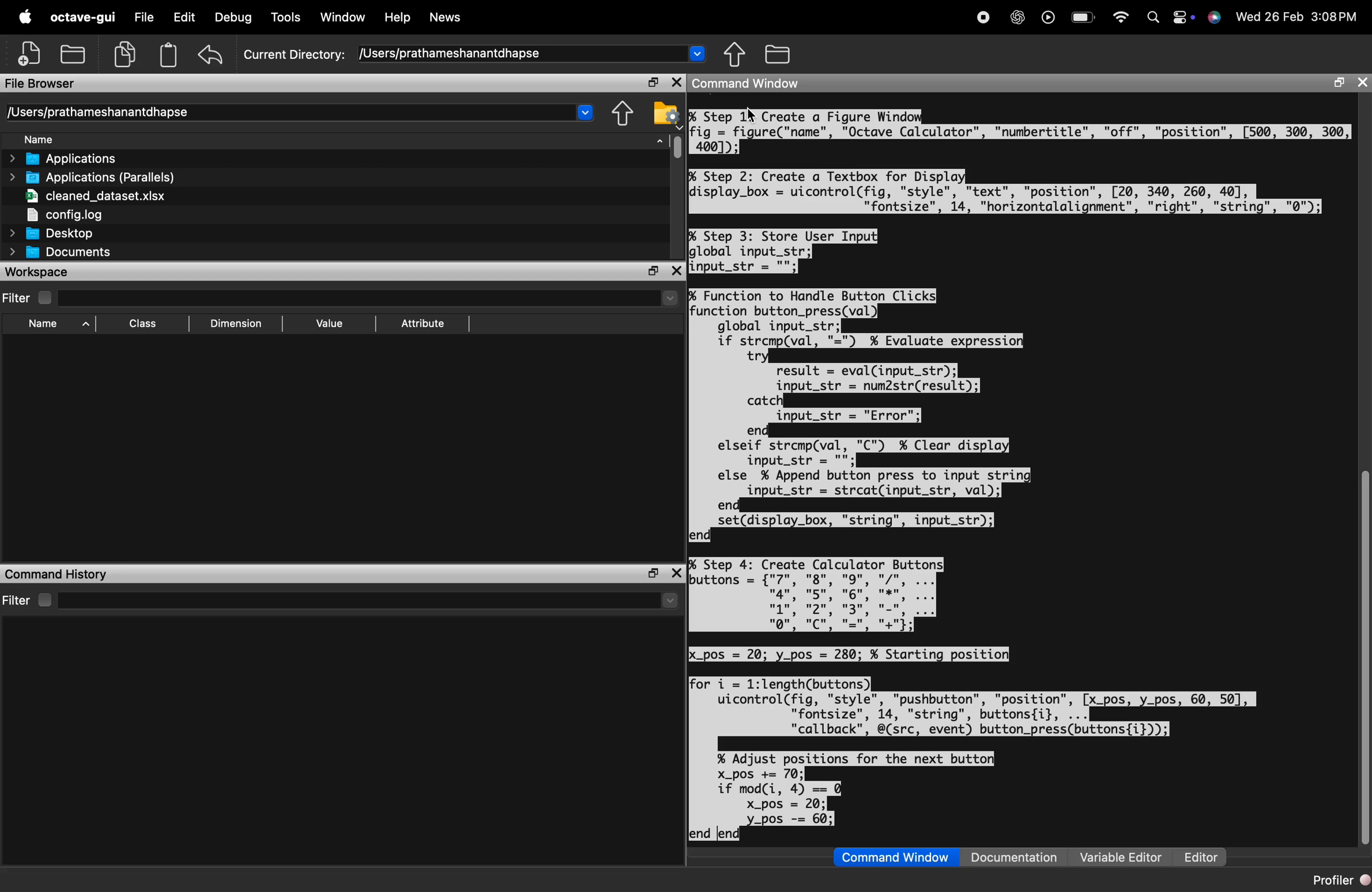 The height and width of the screenshot is (892, 1372). Describe the element at coordinates (1020, 475) in the screenshot. I see `% Step 1X Create a Figure Windofig = figure("name", "Octave Calculator", "numbertitle", "off", "position", [500, 300, 300,4001);% Step 2: Create a Textbox for Displadisplay_box = uicontrol(fig, "style", "text", "position", [20, 340, 260, 40],"fontsize", 14, "horizontalalignment", "right", "string", "0");% Step 3: Store User Input]global input_str;input_str = "";% Function to Handle Button Clicksfunction button_press(val)global input_str;if strcmp(val, "=") % Evaluate expressioltrresult = eval(input_str);input_str = num2str(result);catch)input_str = "Error";endelseif strcmp(val, "C") % Clear display]input_str = "";else % Append button press to input stringinput_str = strcat(input_str, val);endset(display_box, "string", input_str);lend% Step 4: Create Calculator Buttons;buttons = {"7", "8", "9", "/". ...ng’ wgu mg wnqn’ wou mge’ ww’Irfor i = 1:1length(buttons))uicontrol(fig, "style", "pushbutton", "position", [x_pos, y_pos, 60, 507,"fontsize", 14, "string", buttons{i}, ..."callback", @(src, event) button_press(buttons{i}));% Adjust positions for the next button)X_pos += 70;if mod(i, 4) == 0x_pos = 20;_pos -= 60;end end` at that location.